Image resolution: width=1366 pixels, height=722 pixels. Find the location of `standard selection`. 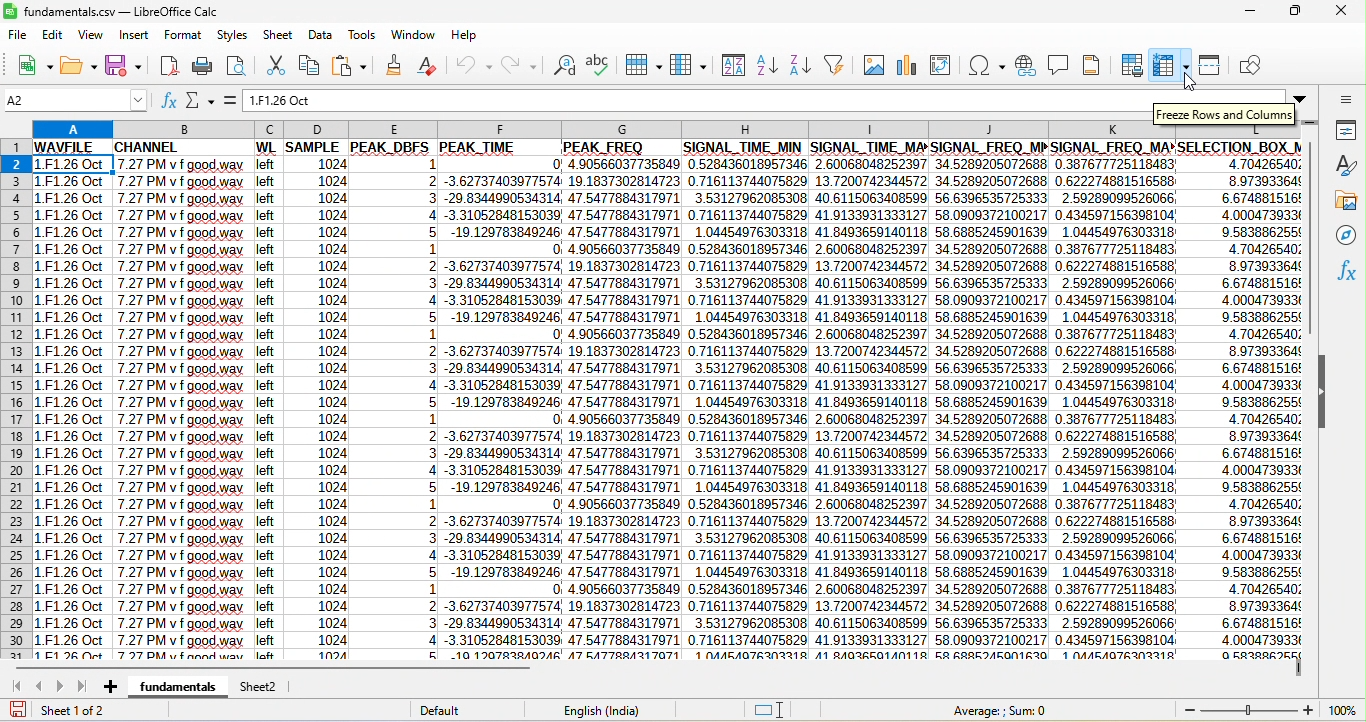

standard selection is located at coordinates (765, 709).